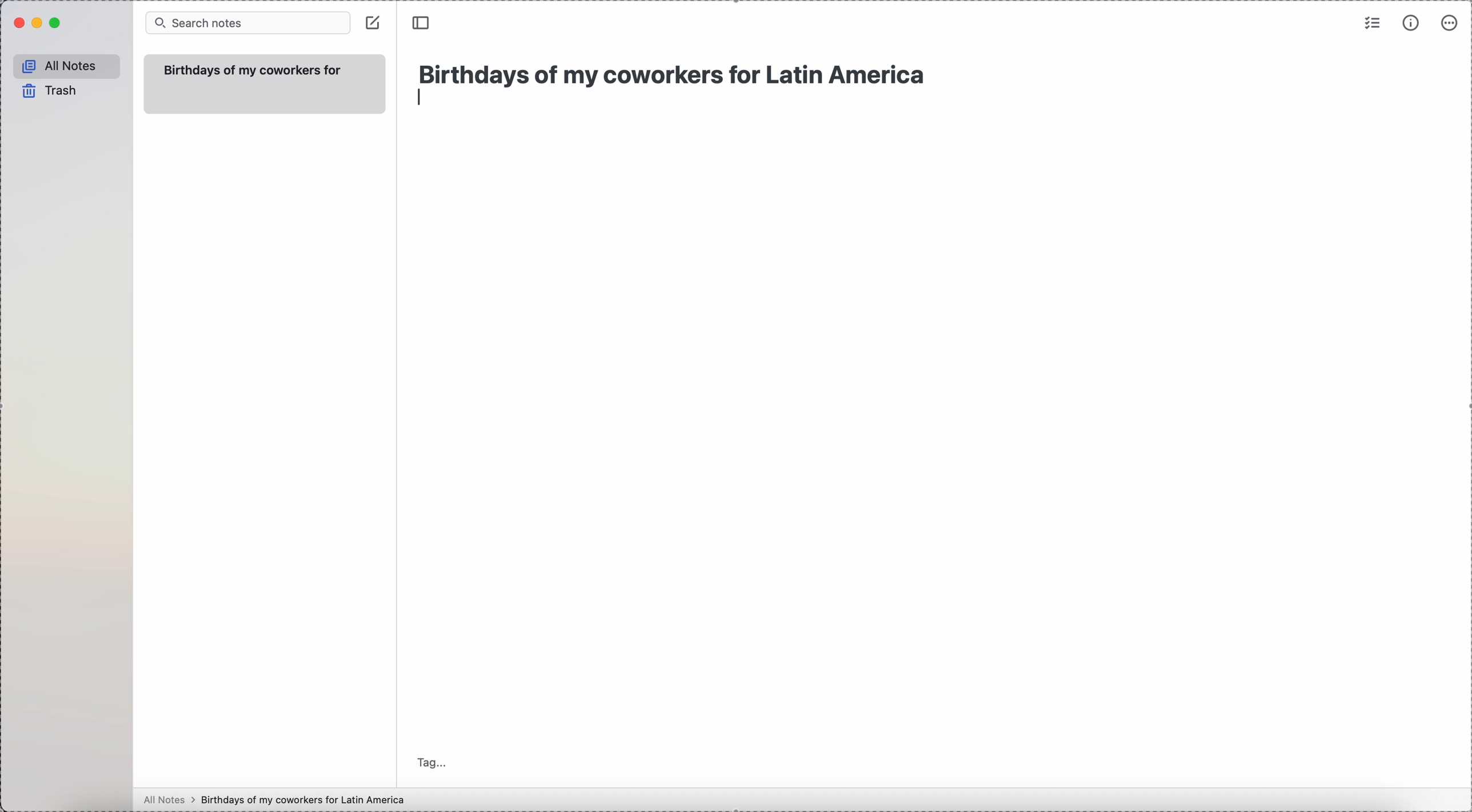 The width and height of the screenshot is (1472, 812). I want to click on metrics, so click(1413, 22).